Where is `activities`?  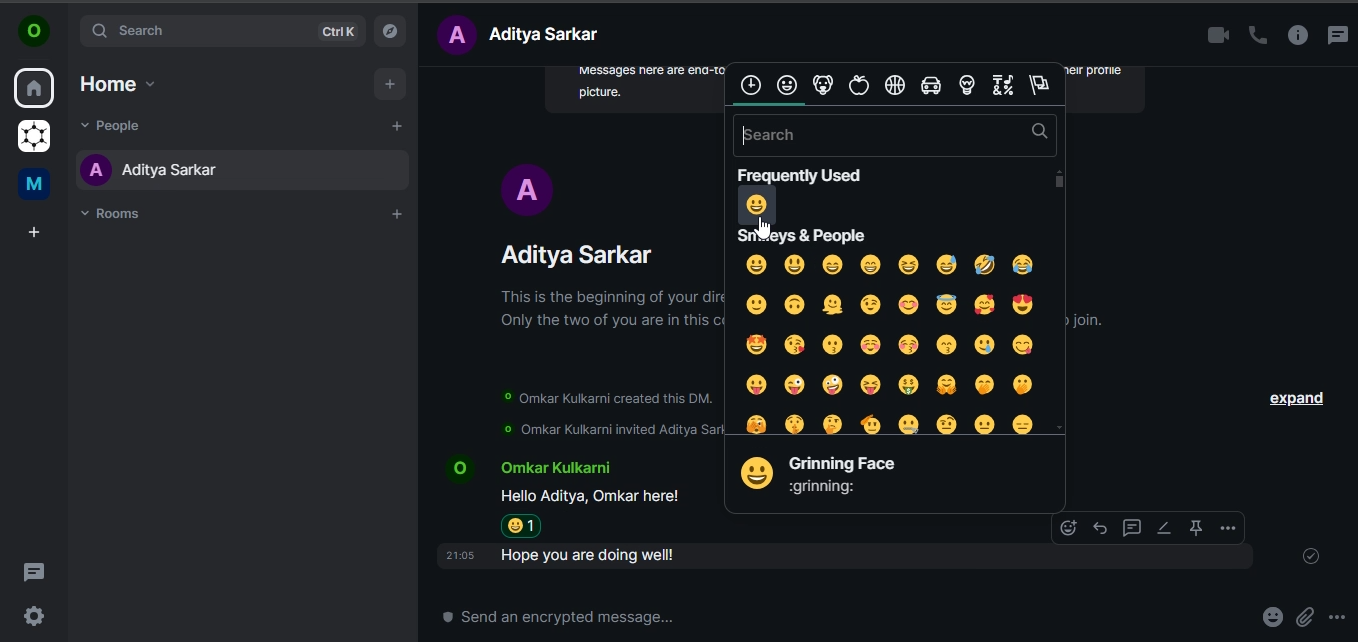
activities is located at coordinates (895, 86).